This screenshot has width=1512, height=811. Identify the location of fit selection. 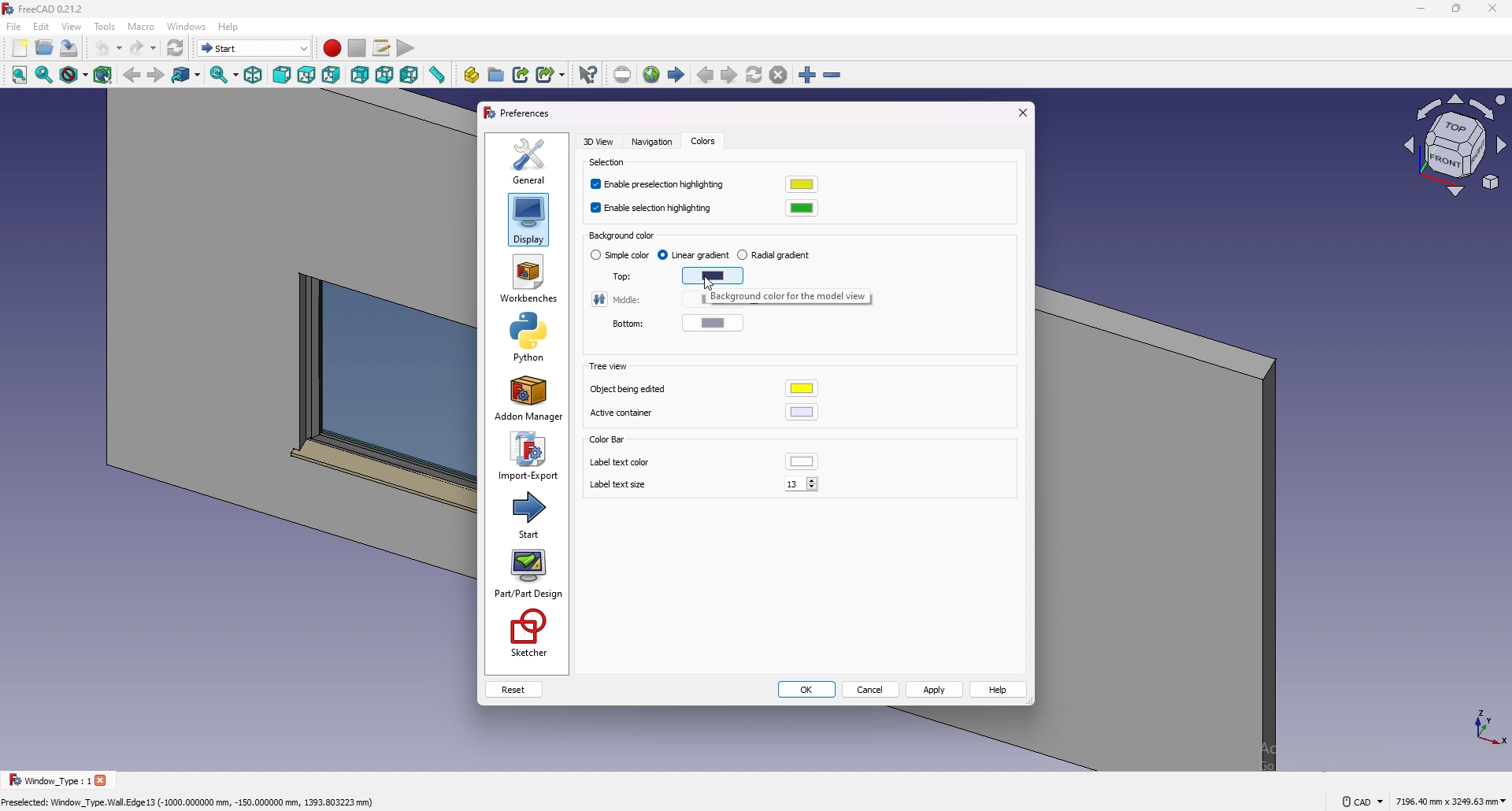
(44, 75).